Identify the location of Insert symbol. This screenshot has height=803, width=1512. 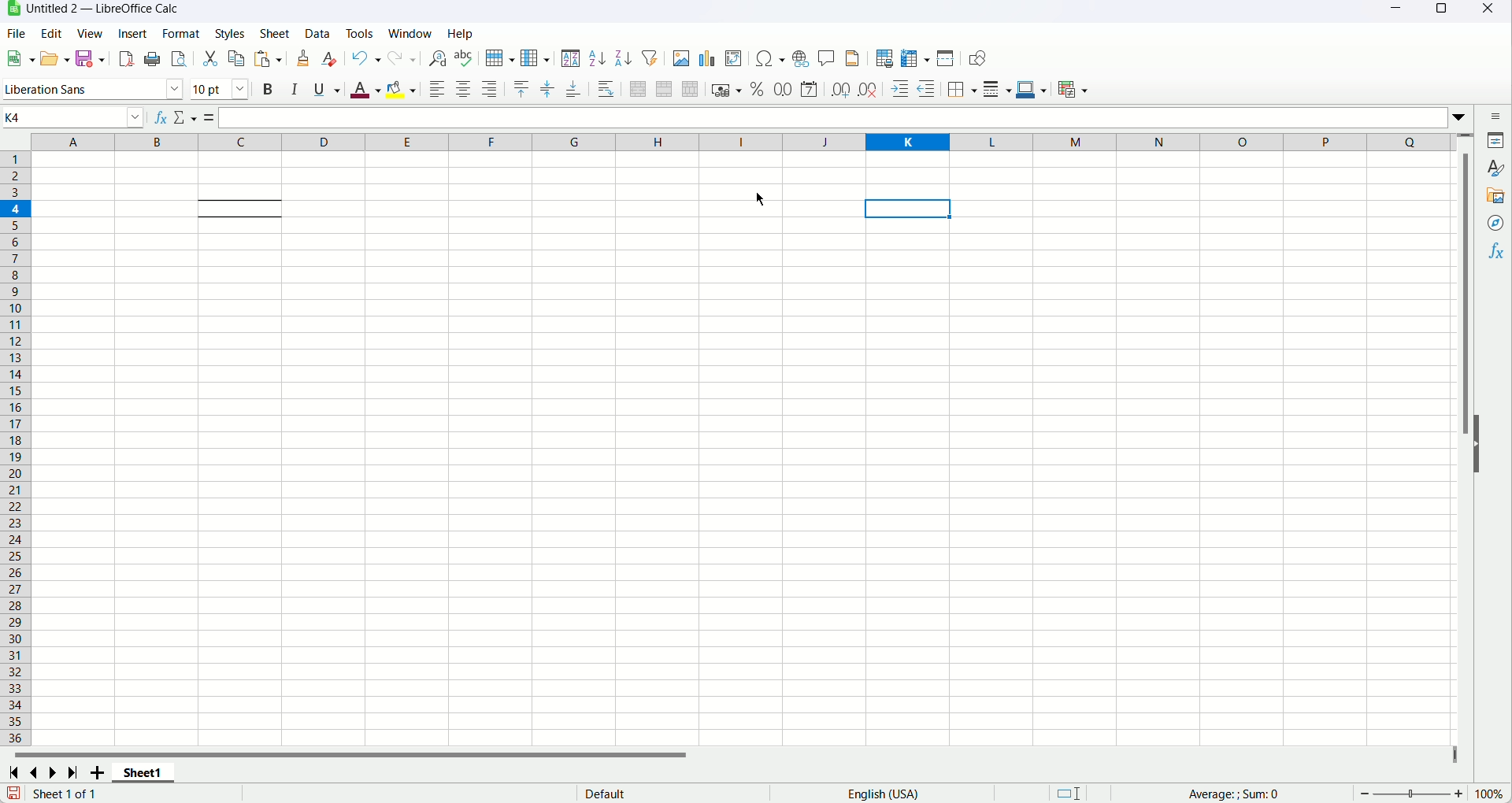
(772, 57).